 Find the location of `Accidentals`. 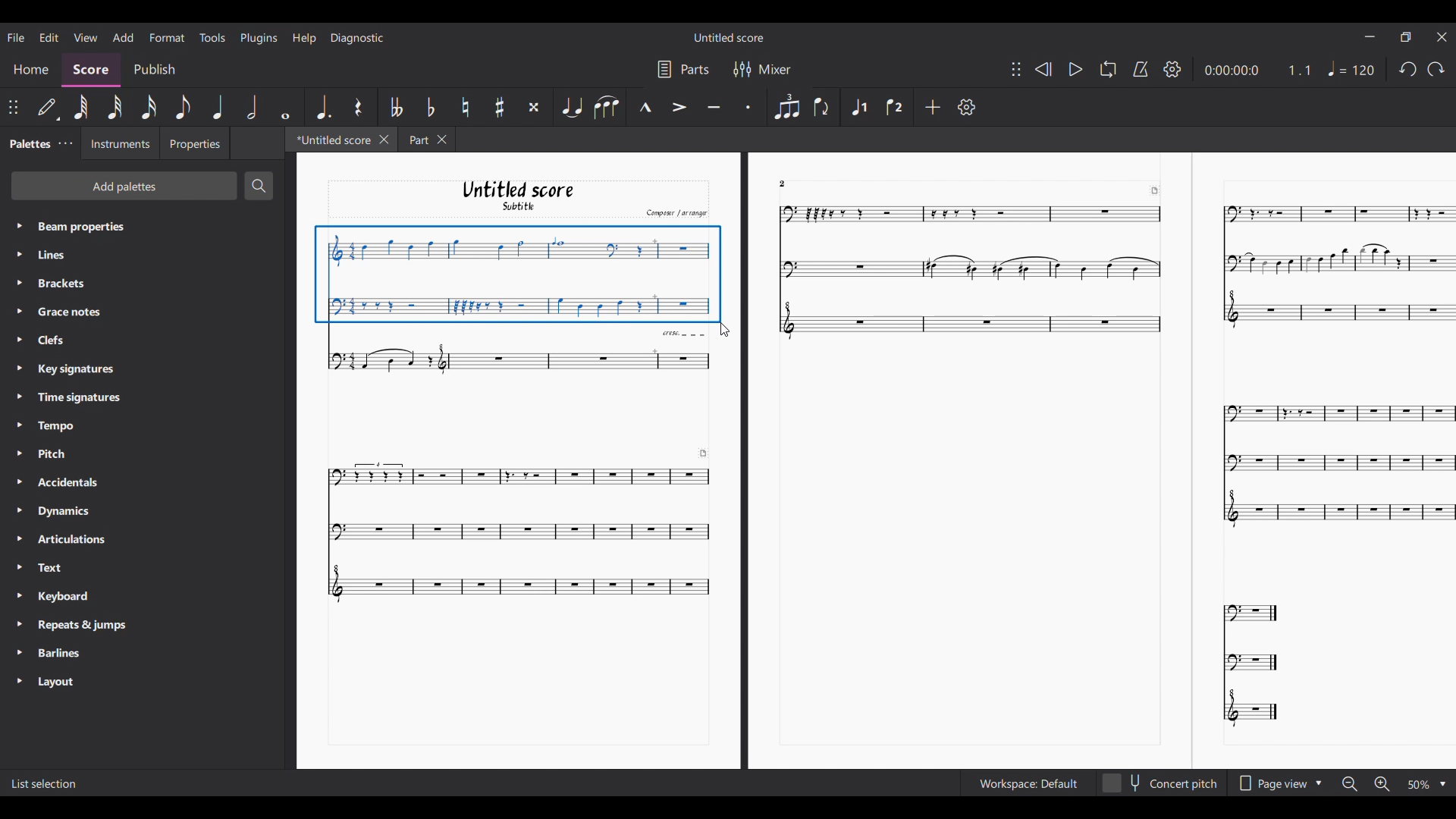

Accidentals is located at coordinates (71, 482).